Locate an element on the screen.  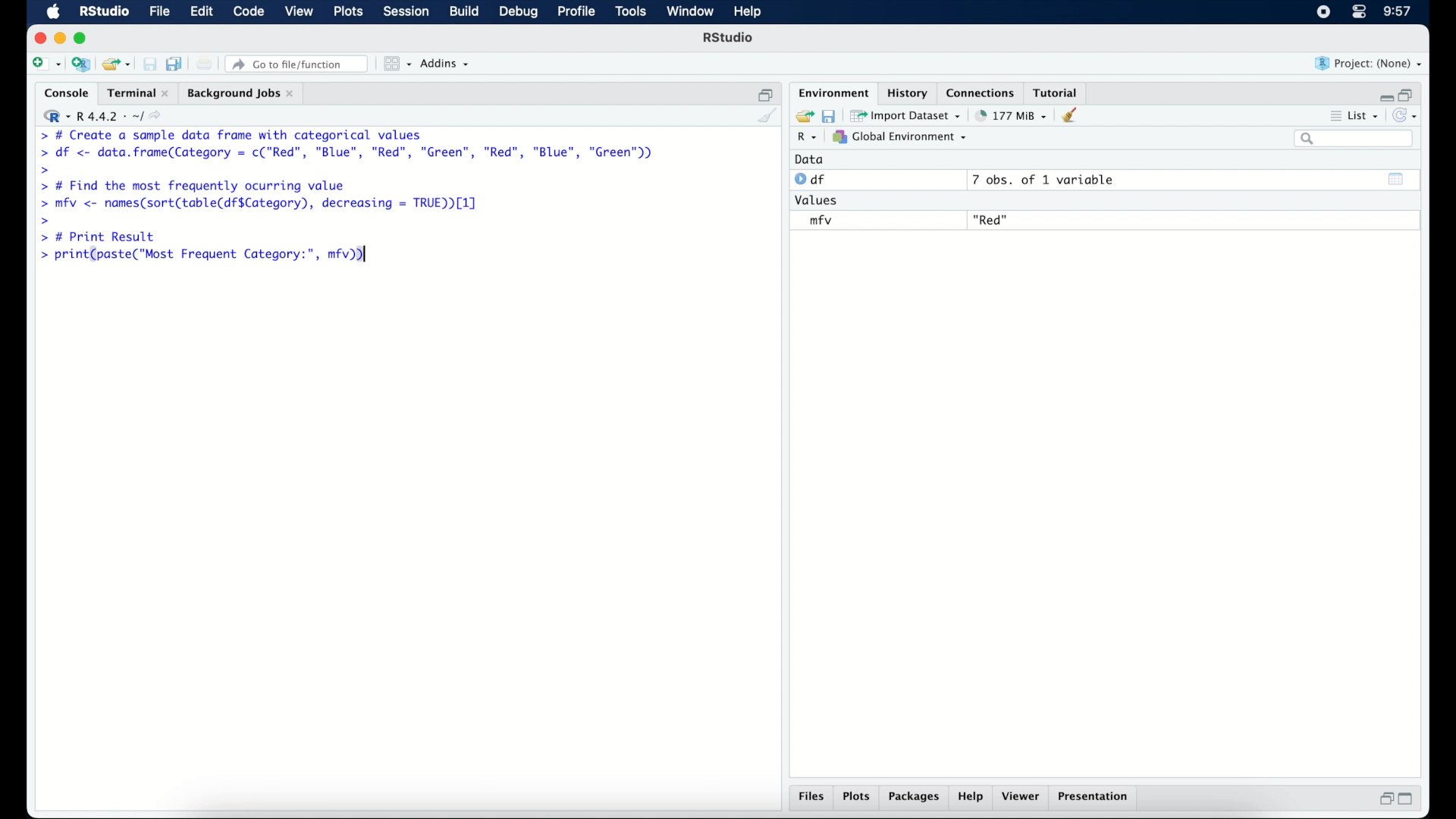
values is located at coordinates (820, 201).